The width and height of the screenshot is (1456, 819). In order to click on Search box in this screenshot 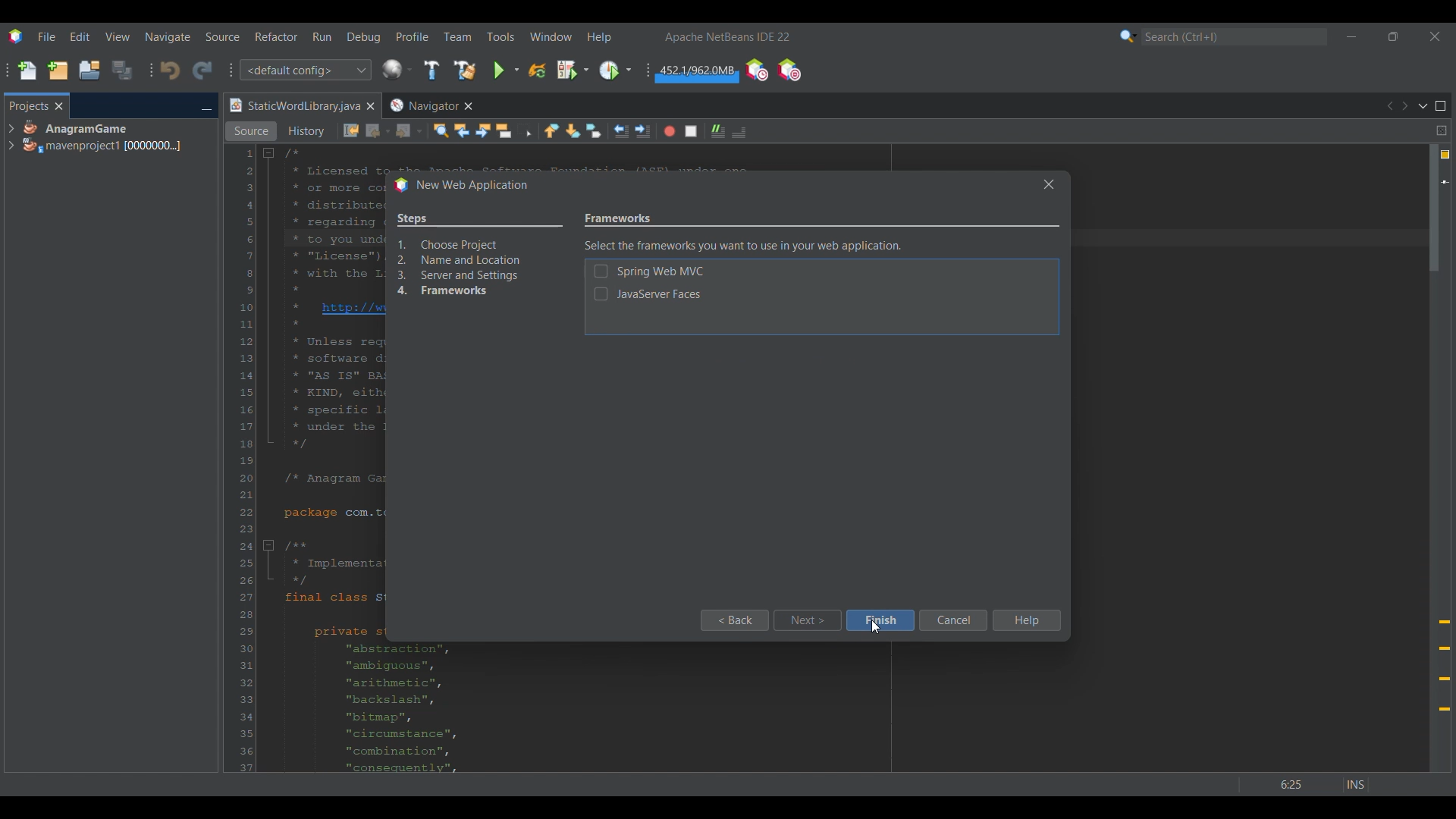, I will do `click(1235, 36)`.